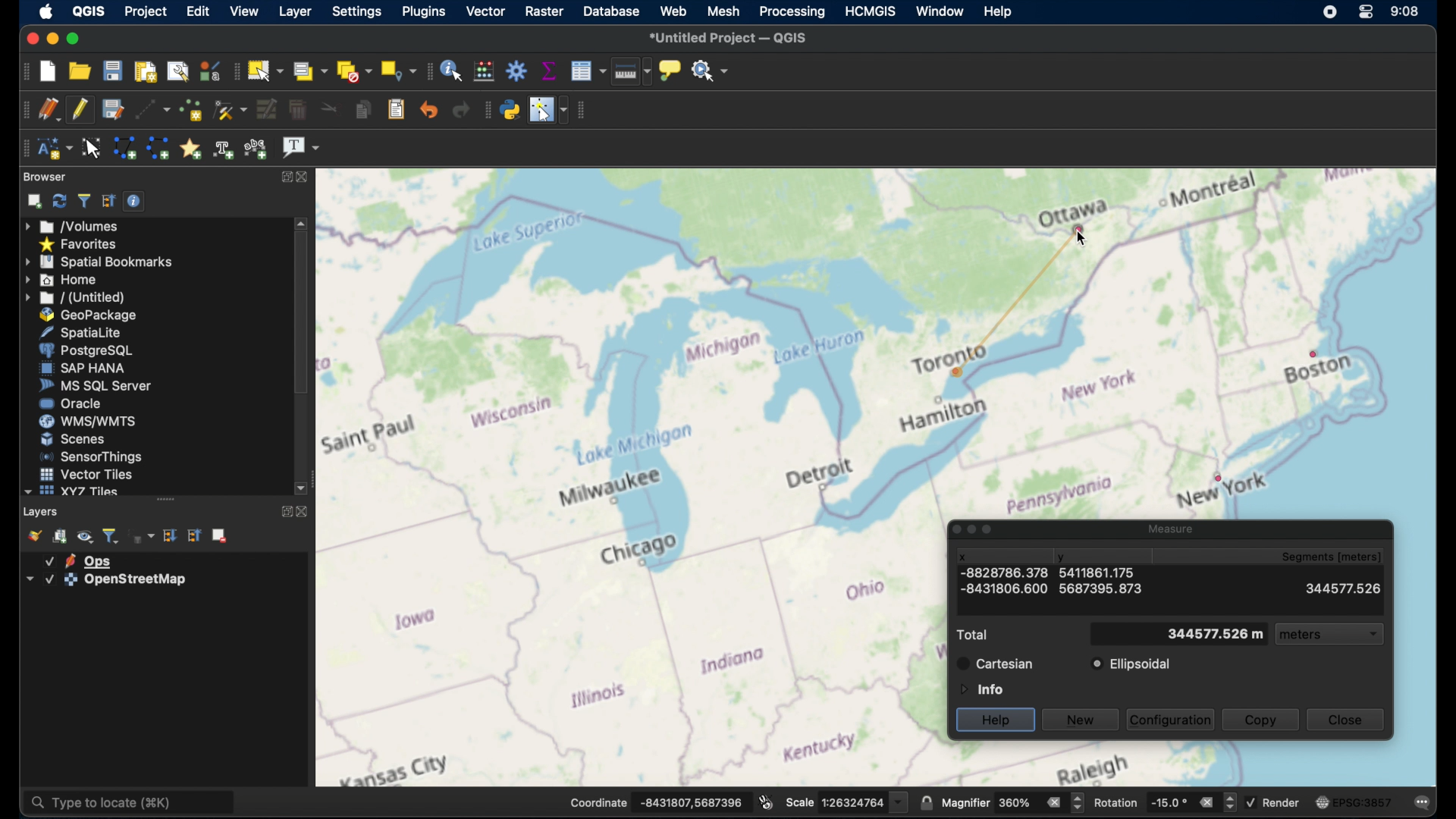  What do you see at coordinates (92, 457) in the screenshot?
I see `sensorthings` at bounding box center [92, 457].